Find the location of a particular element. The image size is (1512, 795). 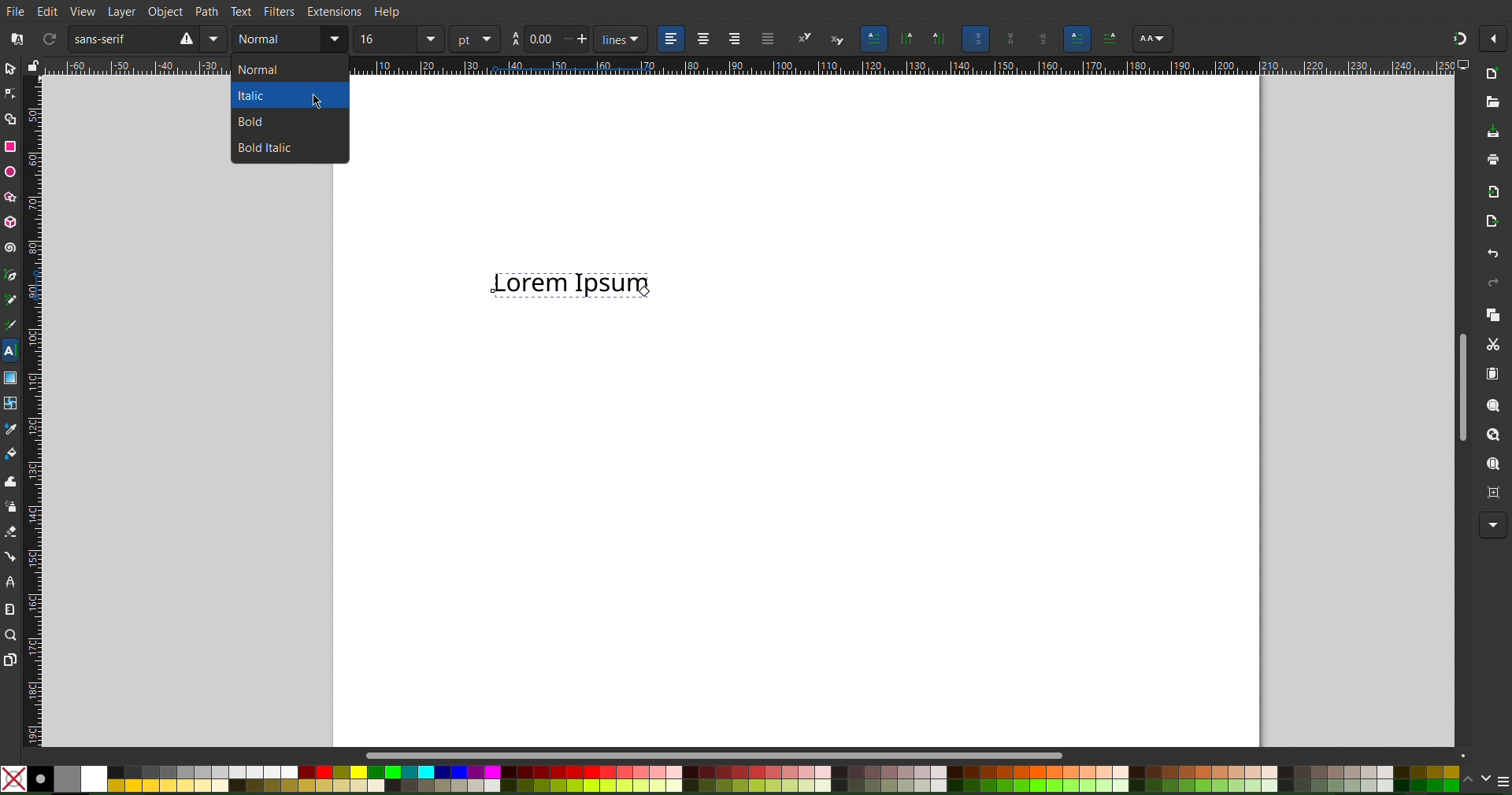

View is located at coordinates (83, 11).